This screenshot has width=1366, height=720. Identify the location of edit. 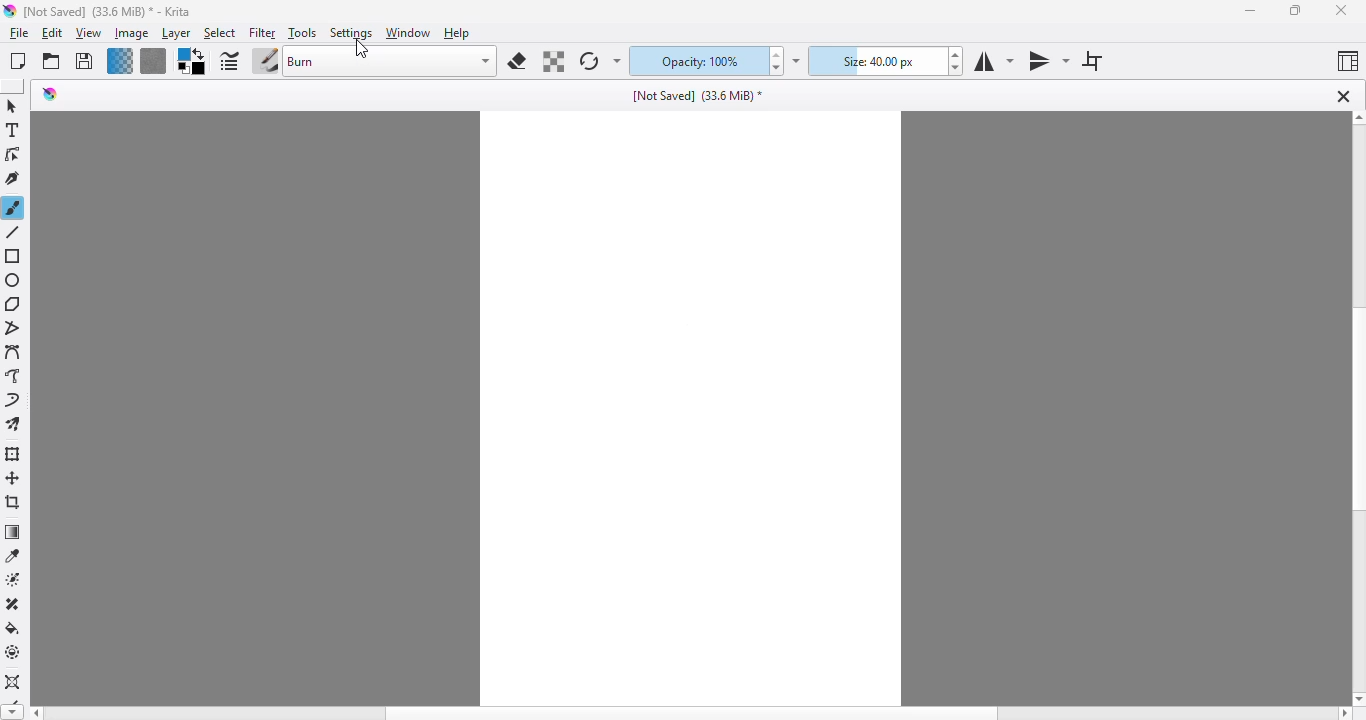
(53, 34).